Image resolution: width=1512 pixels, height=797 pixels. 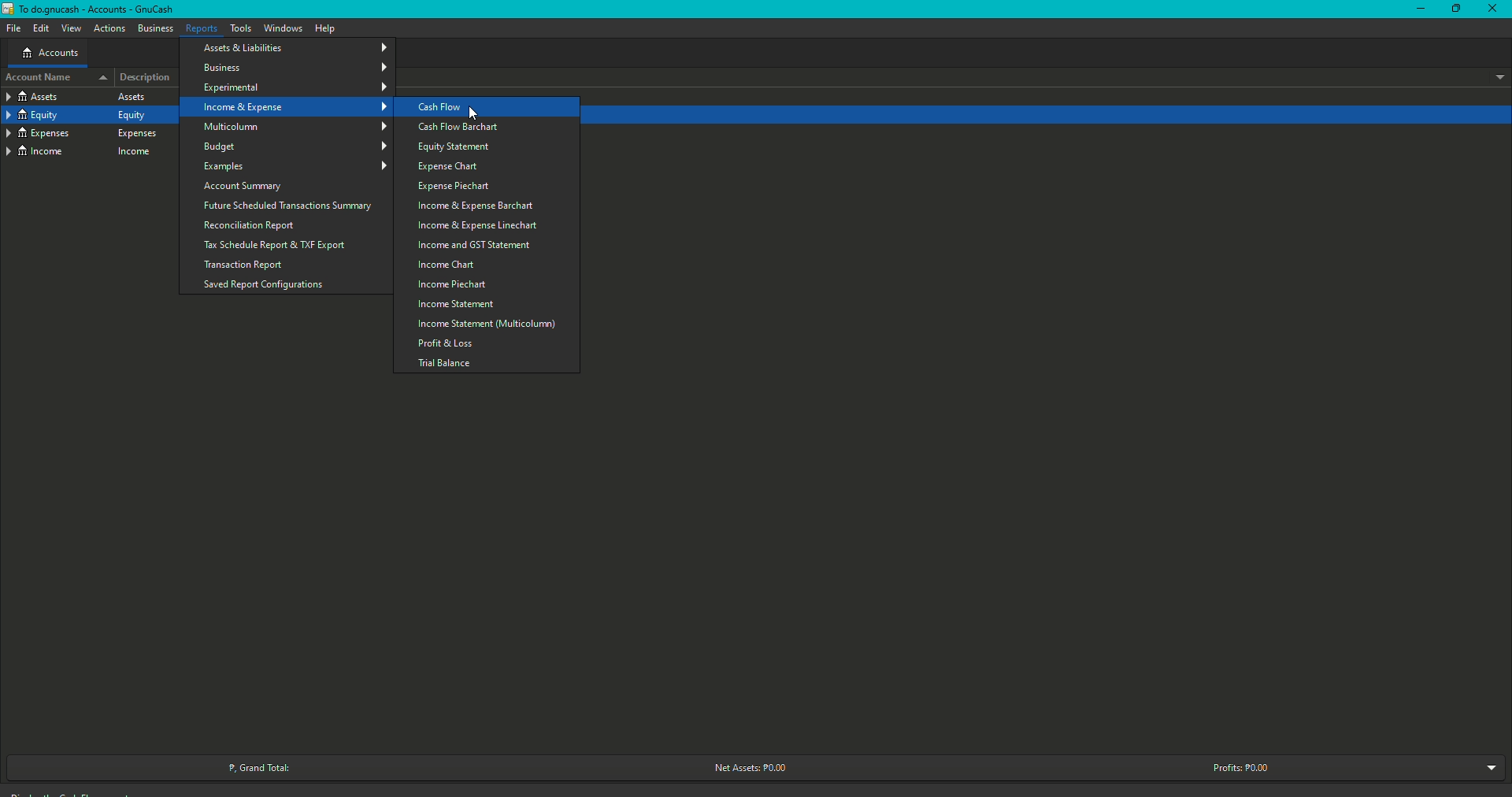 What do you see at coordinates (294, 146) in the screenshot?
I see `Budget` at bounding box center [294, 146].